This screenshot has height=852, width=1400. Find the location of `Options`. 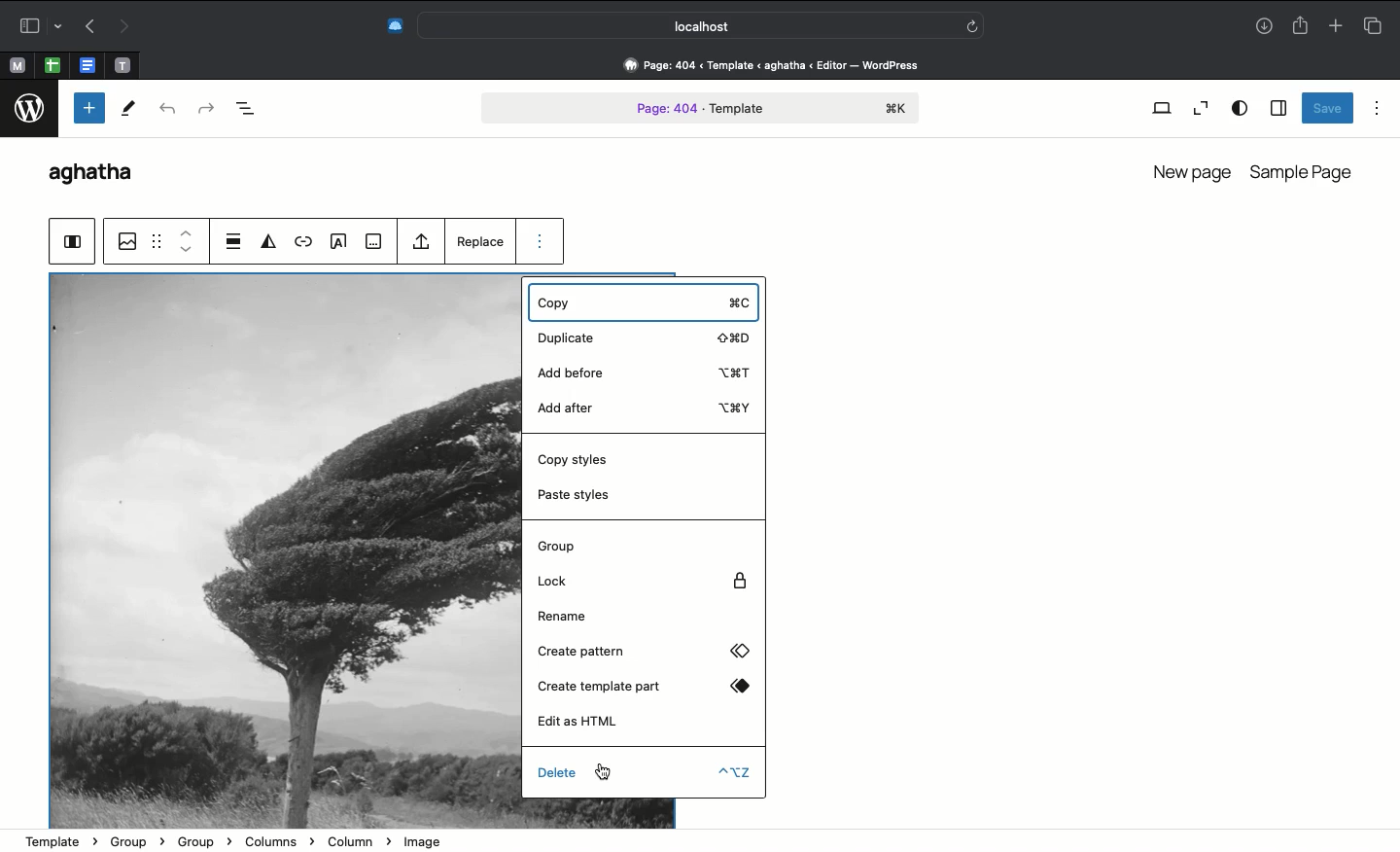

Options is located at coordinates (1378, 108).